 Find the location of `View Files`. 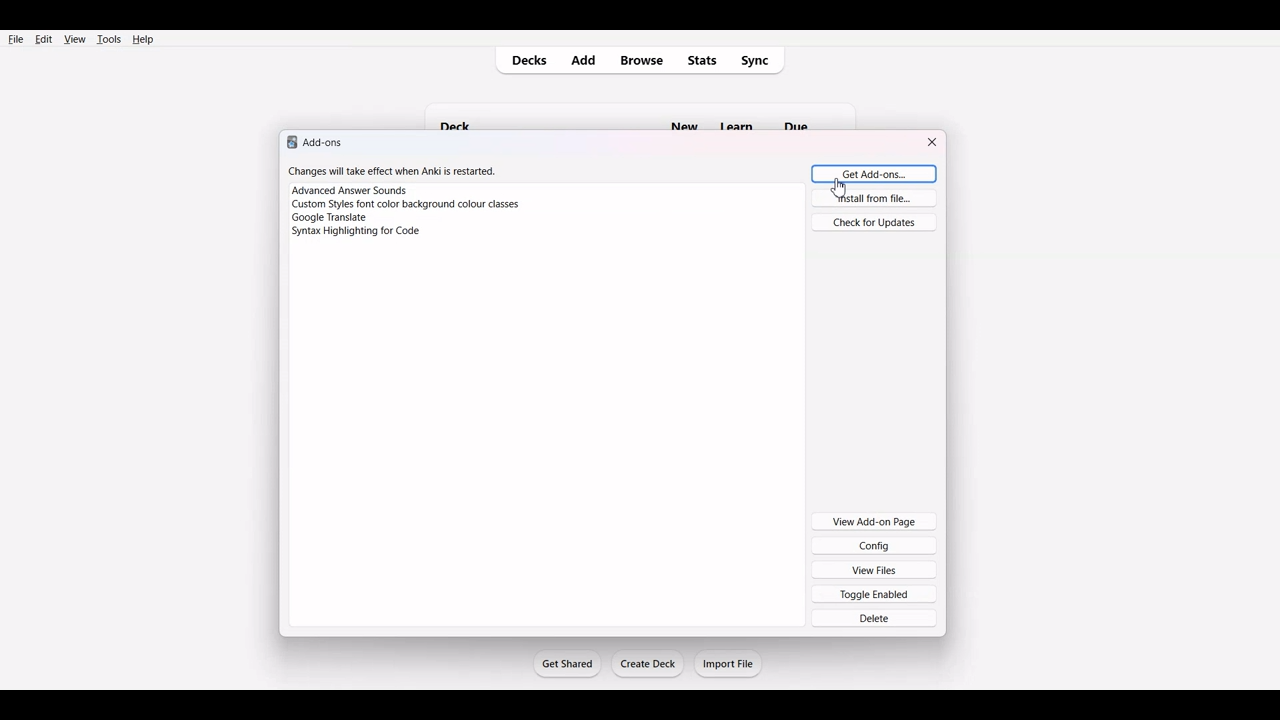

View Files is located at coordinates (875, 569).